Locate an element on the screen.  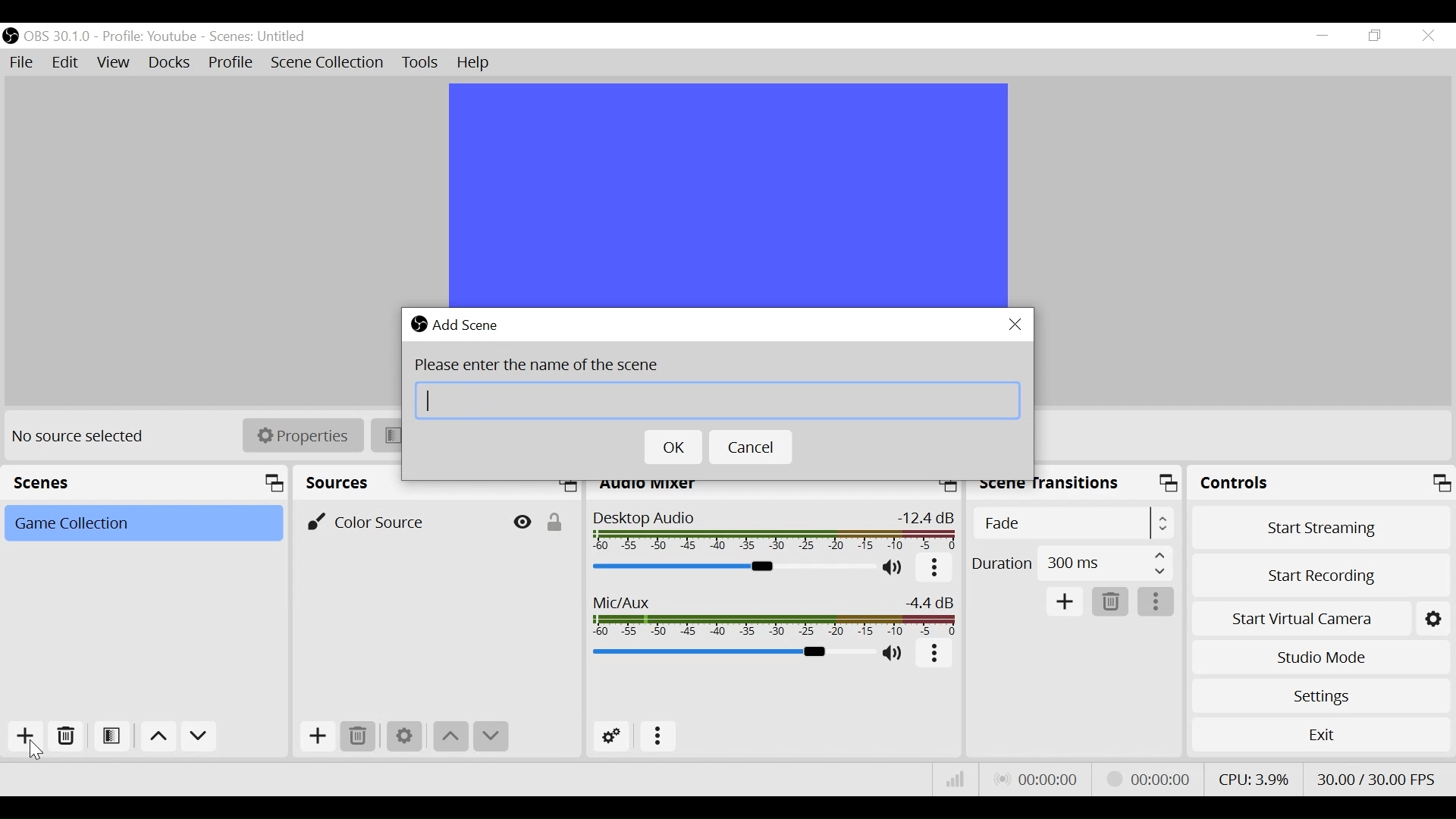
(un)select Scene Transition is located at coordinates (1071, 523).